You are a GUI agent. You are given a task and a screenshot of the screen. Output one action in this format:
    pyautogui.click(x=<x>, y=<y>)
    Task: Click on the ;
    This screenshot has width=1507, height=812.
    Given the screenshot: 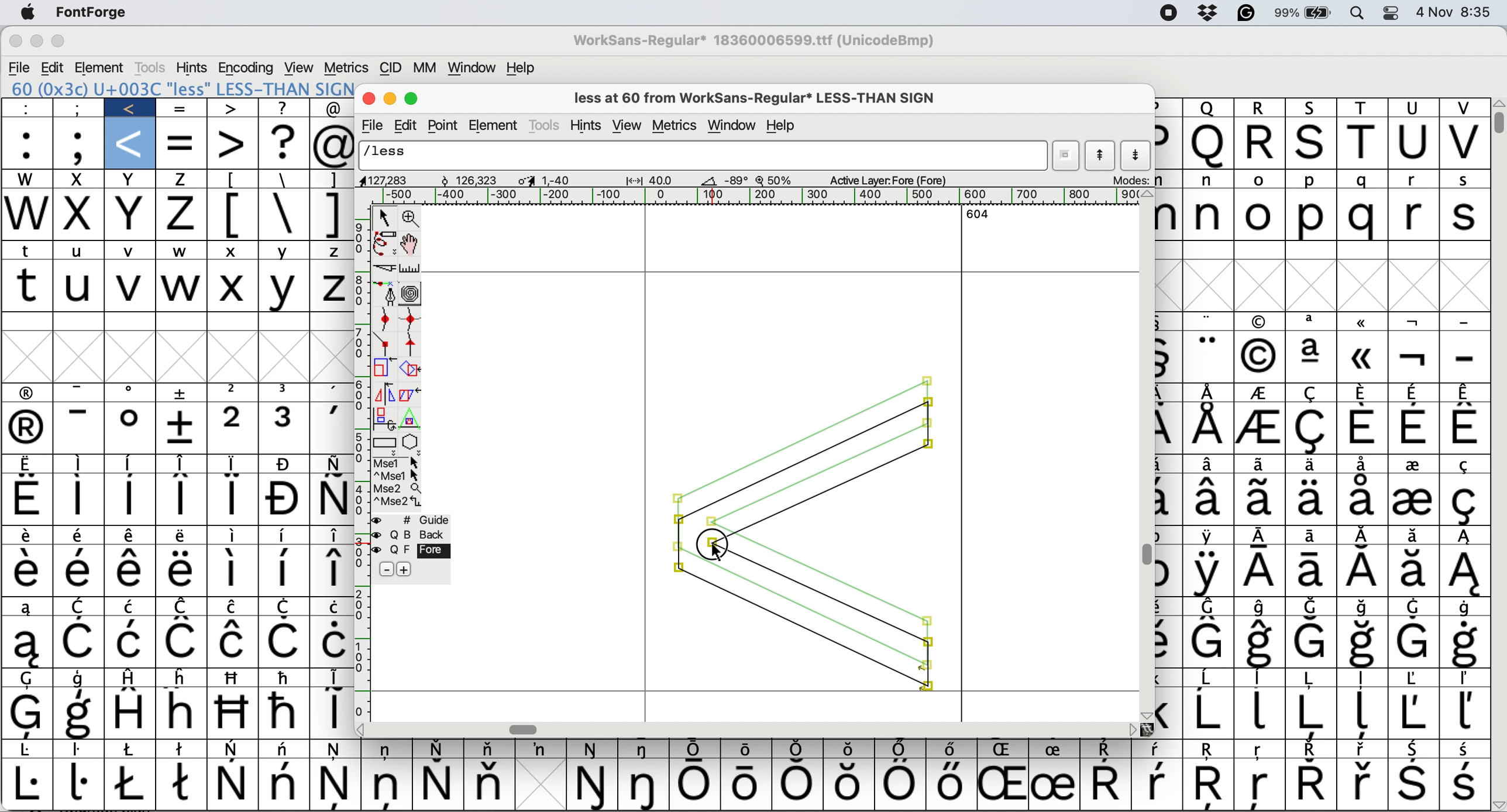 What is the action you would take?
    pyautogui.click(x=79, y=144)
    